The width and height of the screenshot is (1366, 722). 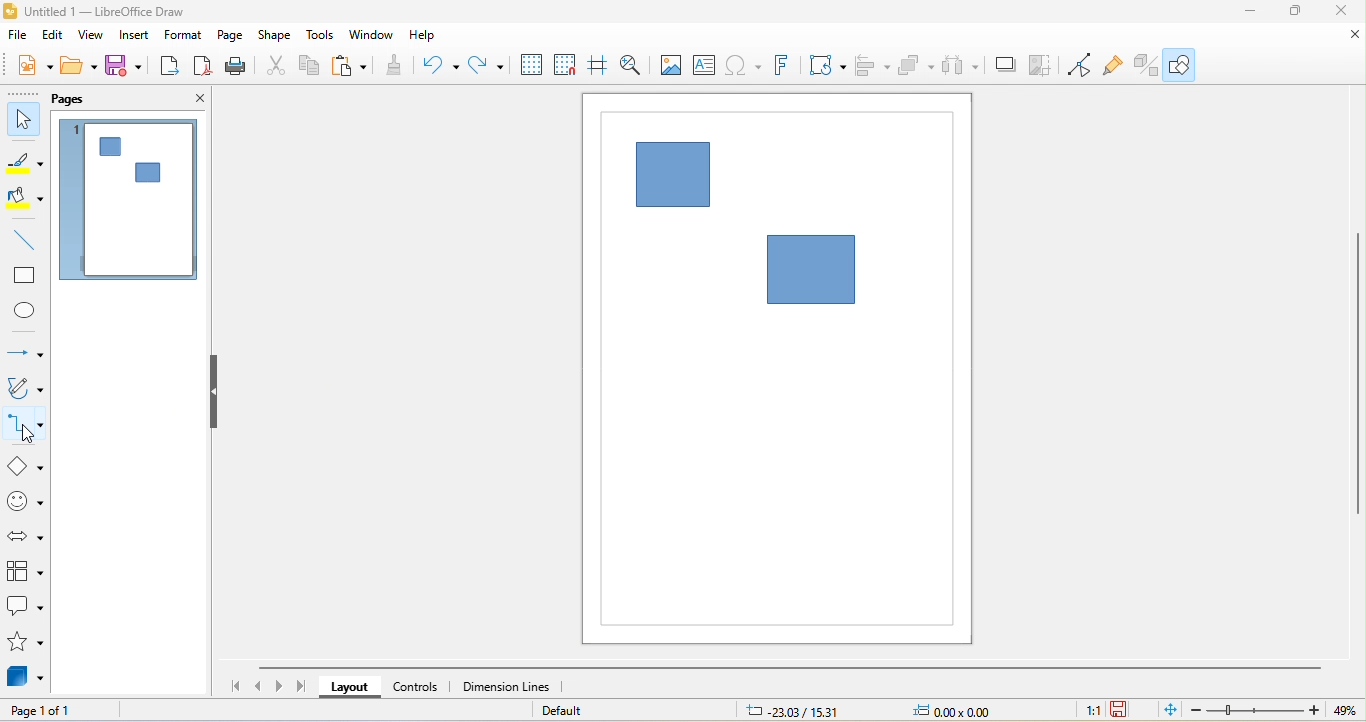 What do you see at coordinates (23, 677) in the screenshot?
I see `3d objects` at bounding box center [23, 677].